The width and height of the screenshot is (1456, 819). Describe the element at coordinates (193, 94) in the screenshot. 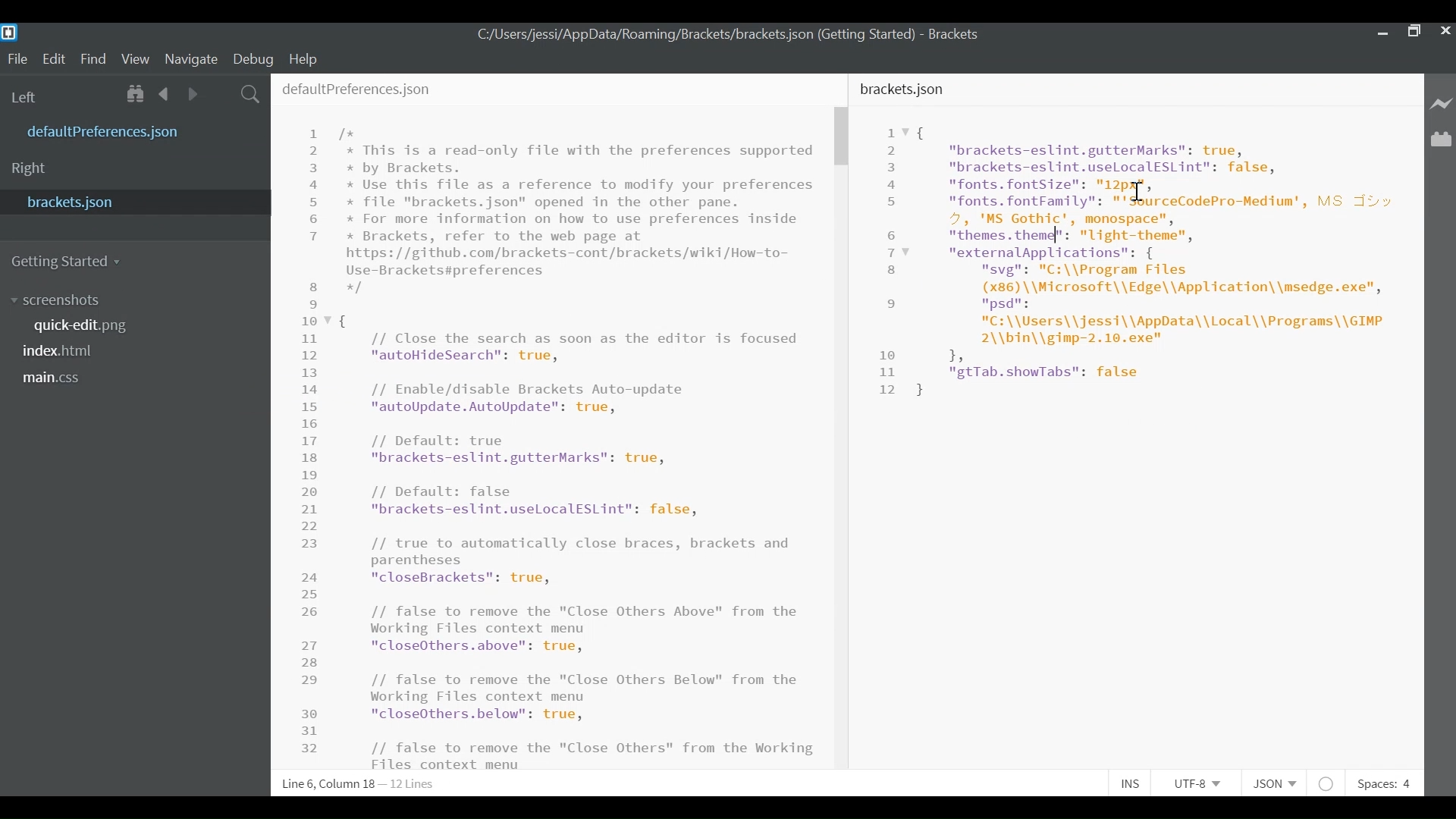

I see `Navigate Forward` at that location.